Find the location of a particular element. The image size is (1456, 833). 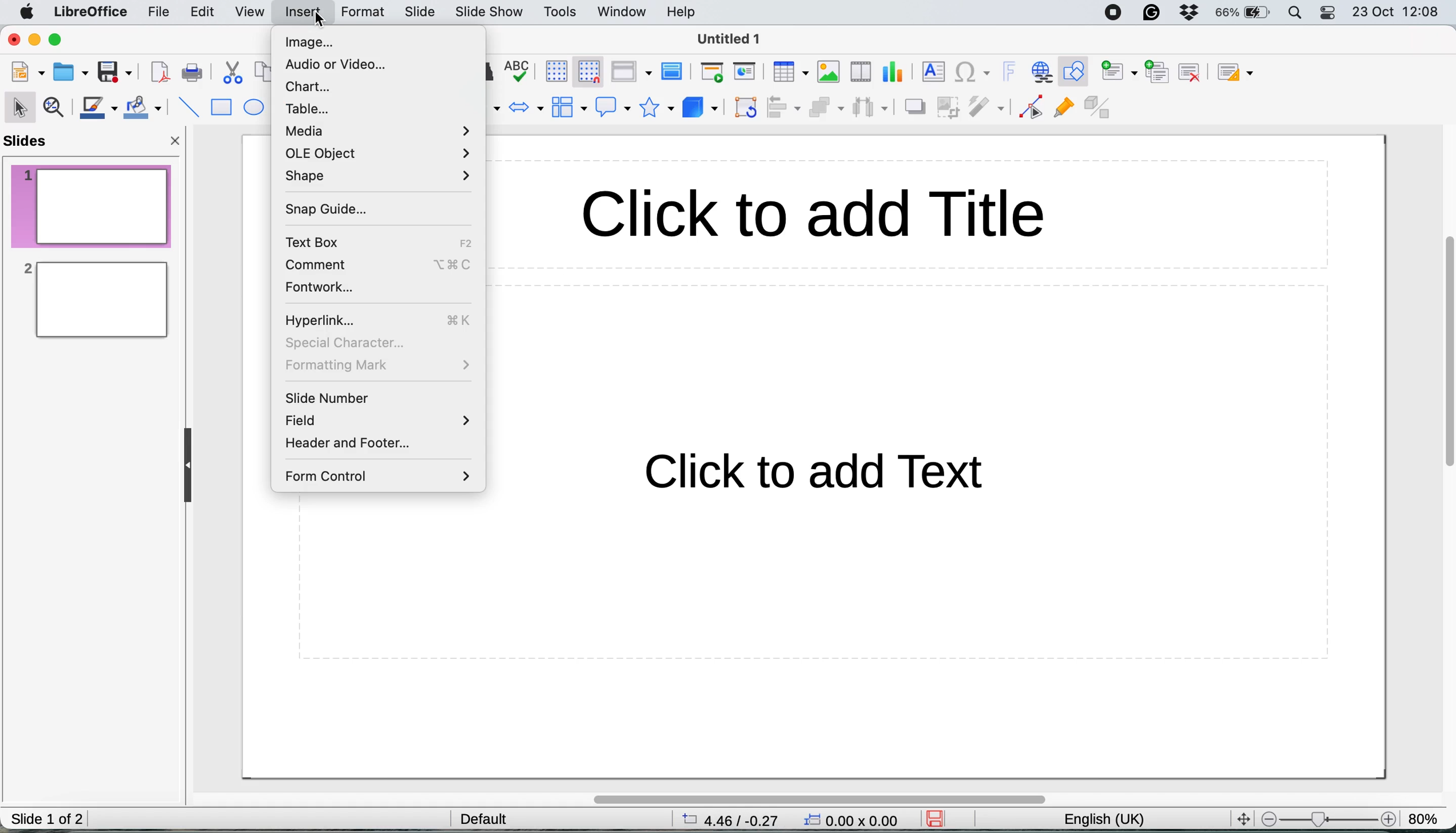

rectangle is located at coordinates (221, 109).